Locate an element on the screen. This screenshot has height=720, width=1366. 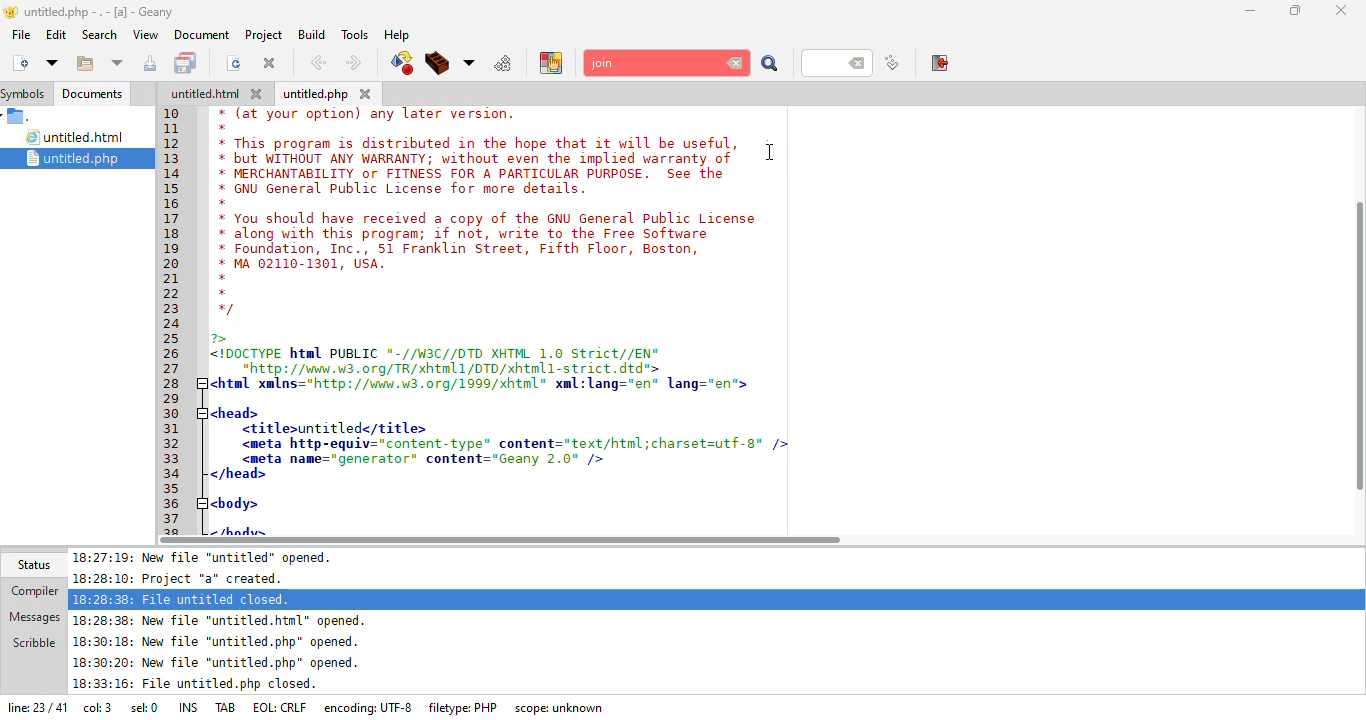
* is located at coordinates (220, 278).